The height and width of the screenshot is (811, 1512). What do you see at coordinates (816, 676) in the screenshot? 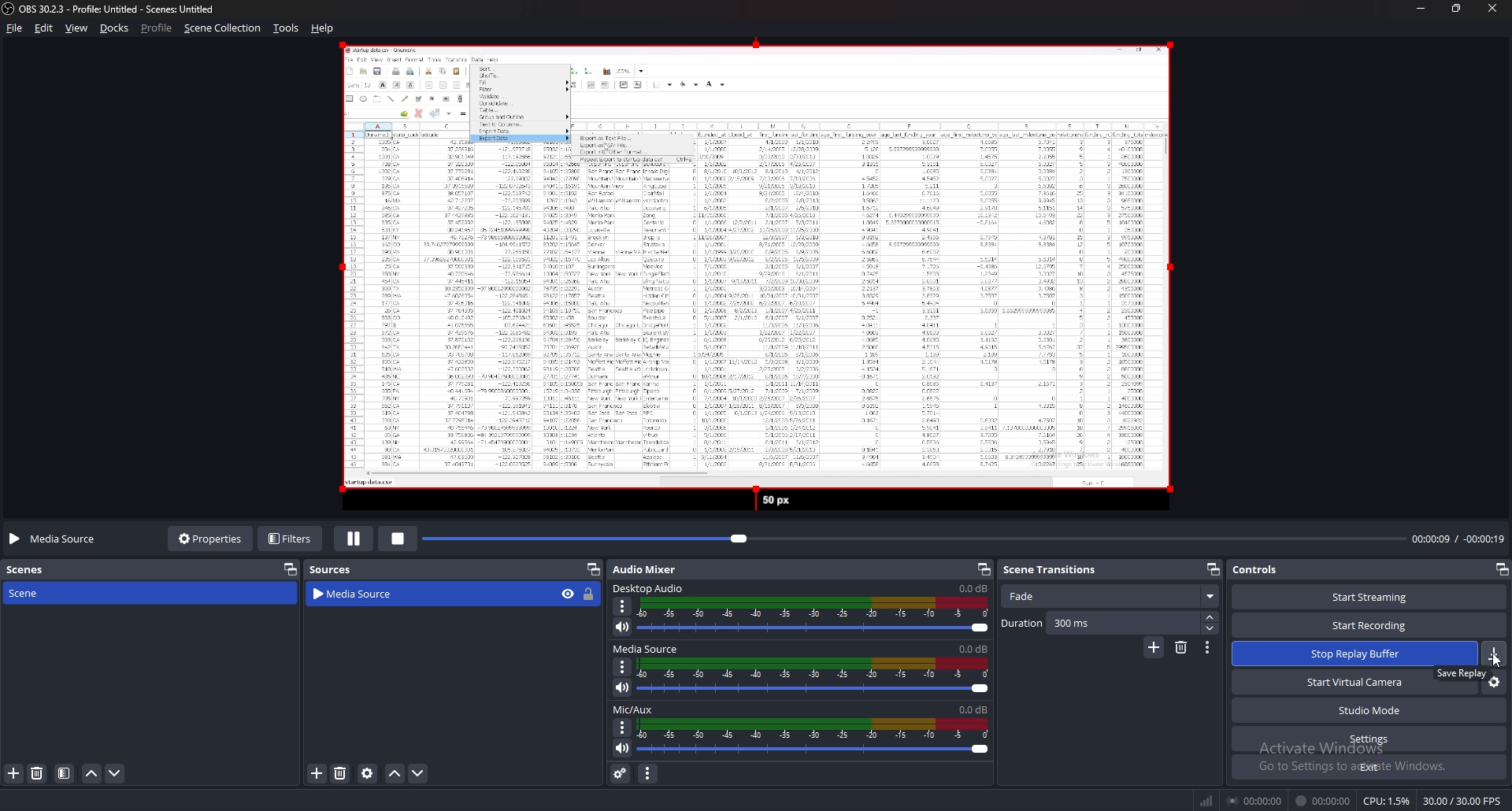
I see `media source audio adjust` at bounding box center [816, 676].